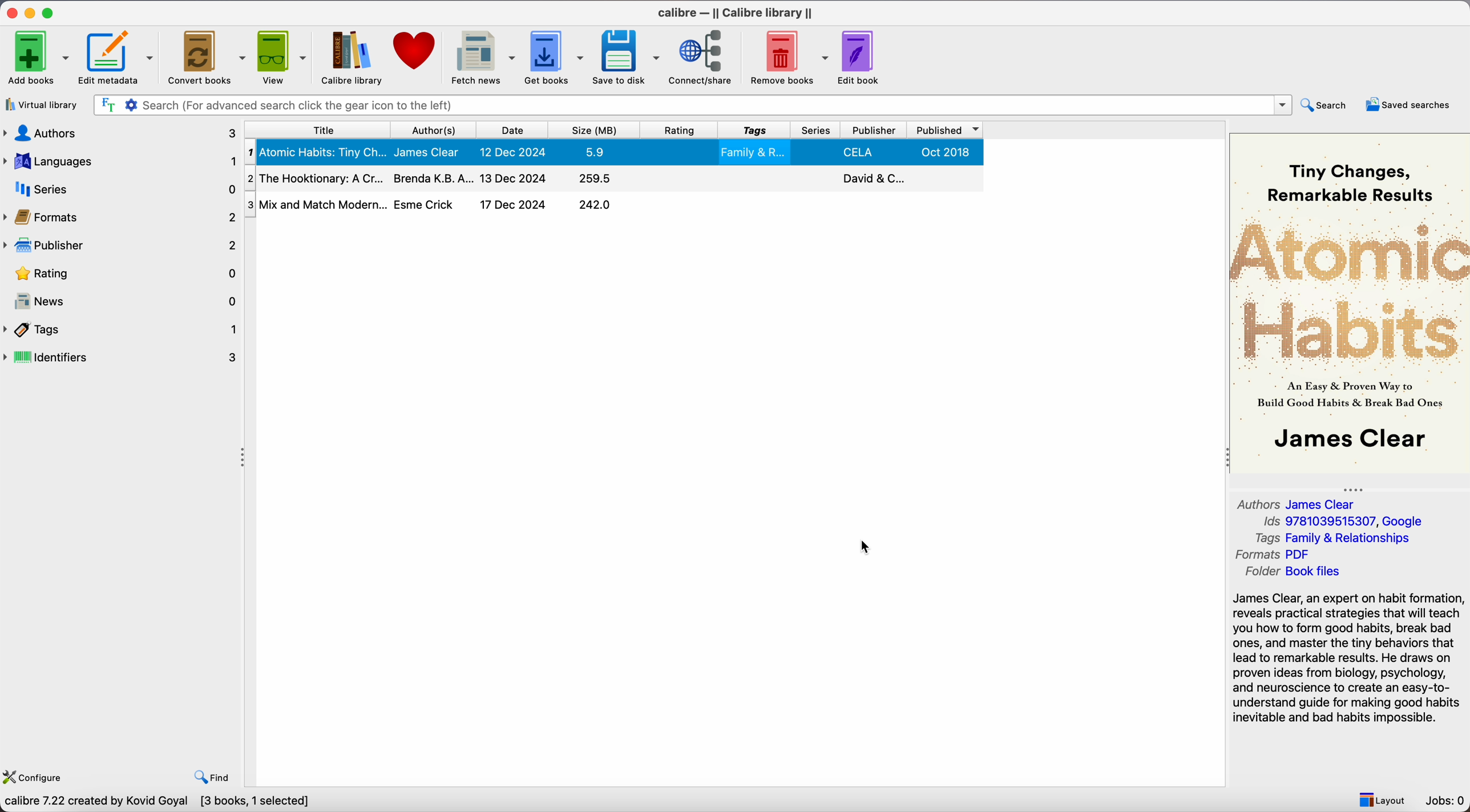 This screenshot has width=1470, height=812. Describe the element at coordinates (595, 206) in the screenshot. I see `242.0` at that location.